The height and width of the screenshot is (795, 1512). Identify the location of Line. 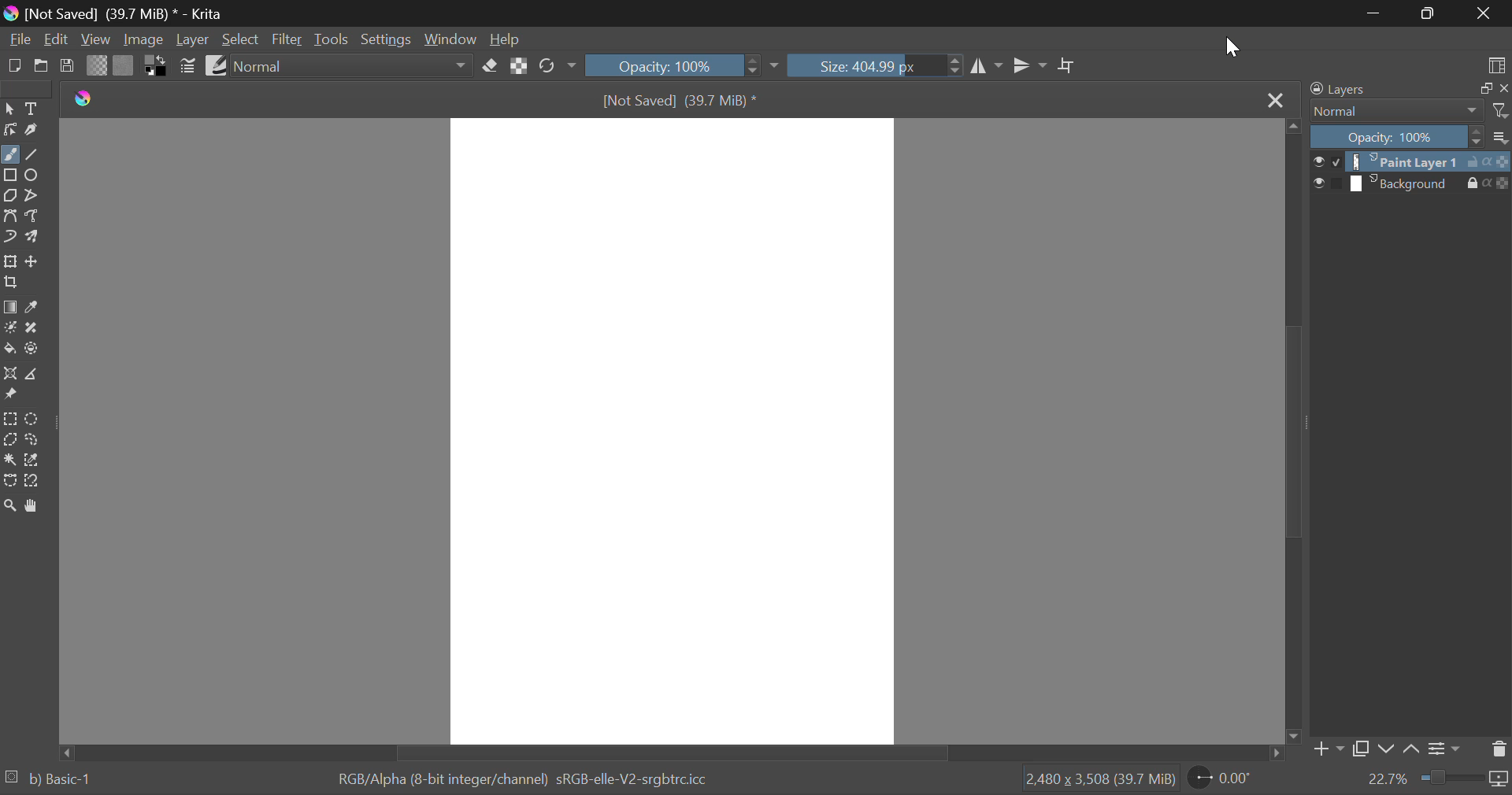
(32, 153).